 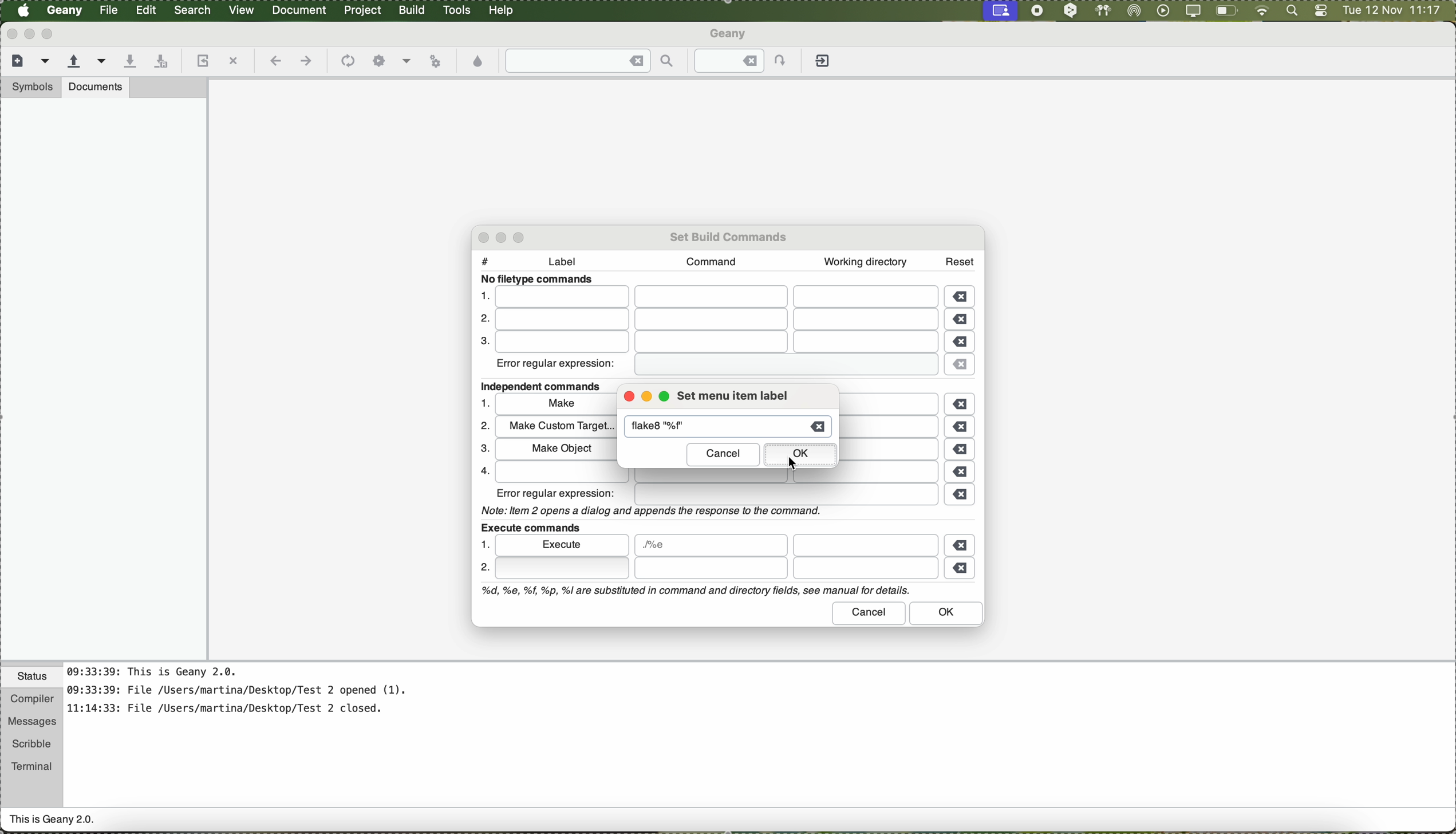 What do you see at coordinates (457, 10) in the screenshot?
I see `tools` at bounding box center [457, 10].